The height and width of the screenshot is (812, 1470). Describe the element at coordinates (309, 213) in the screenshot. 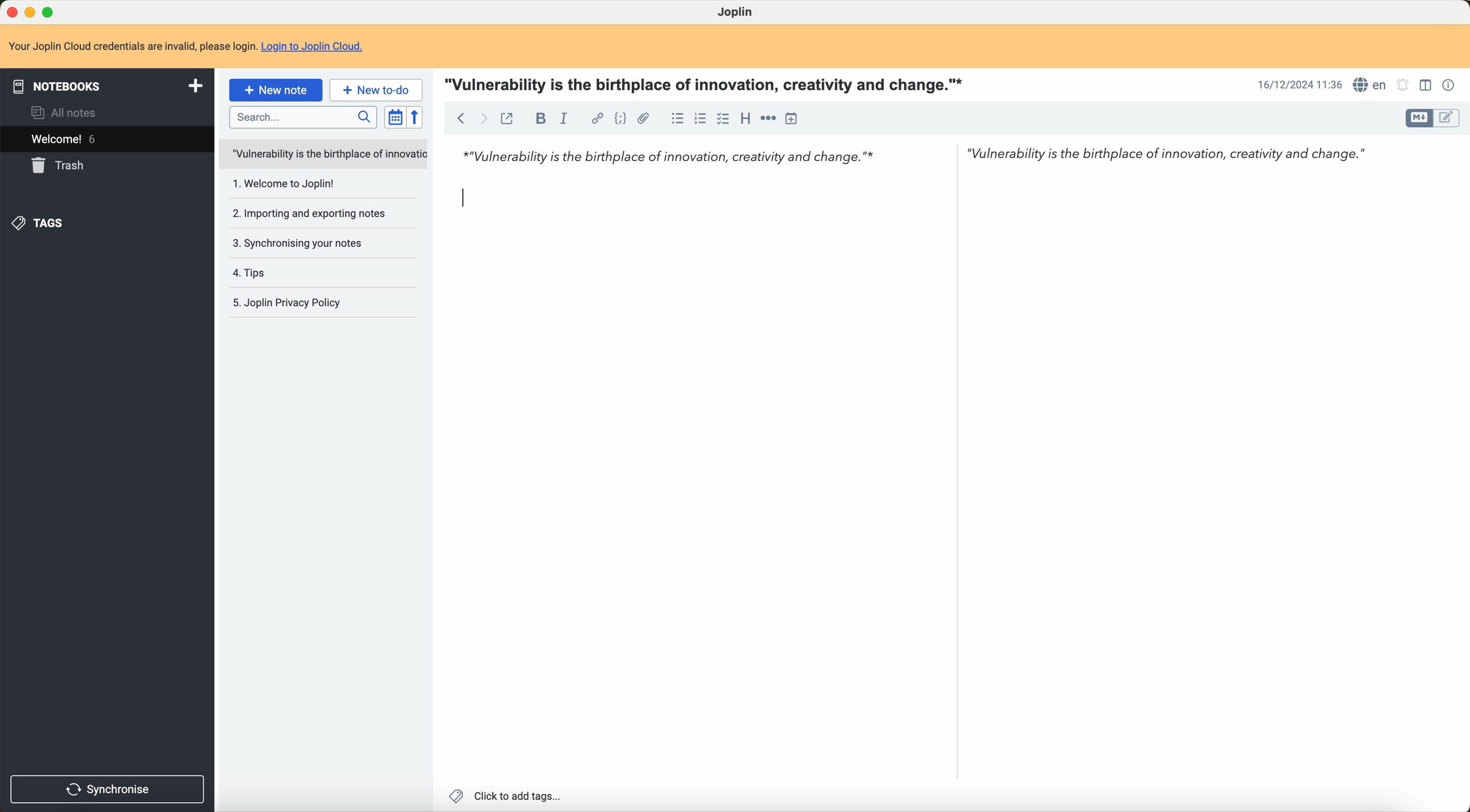

I see `2.importing and exporting notes` at that location.